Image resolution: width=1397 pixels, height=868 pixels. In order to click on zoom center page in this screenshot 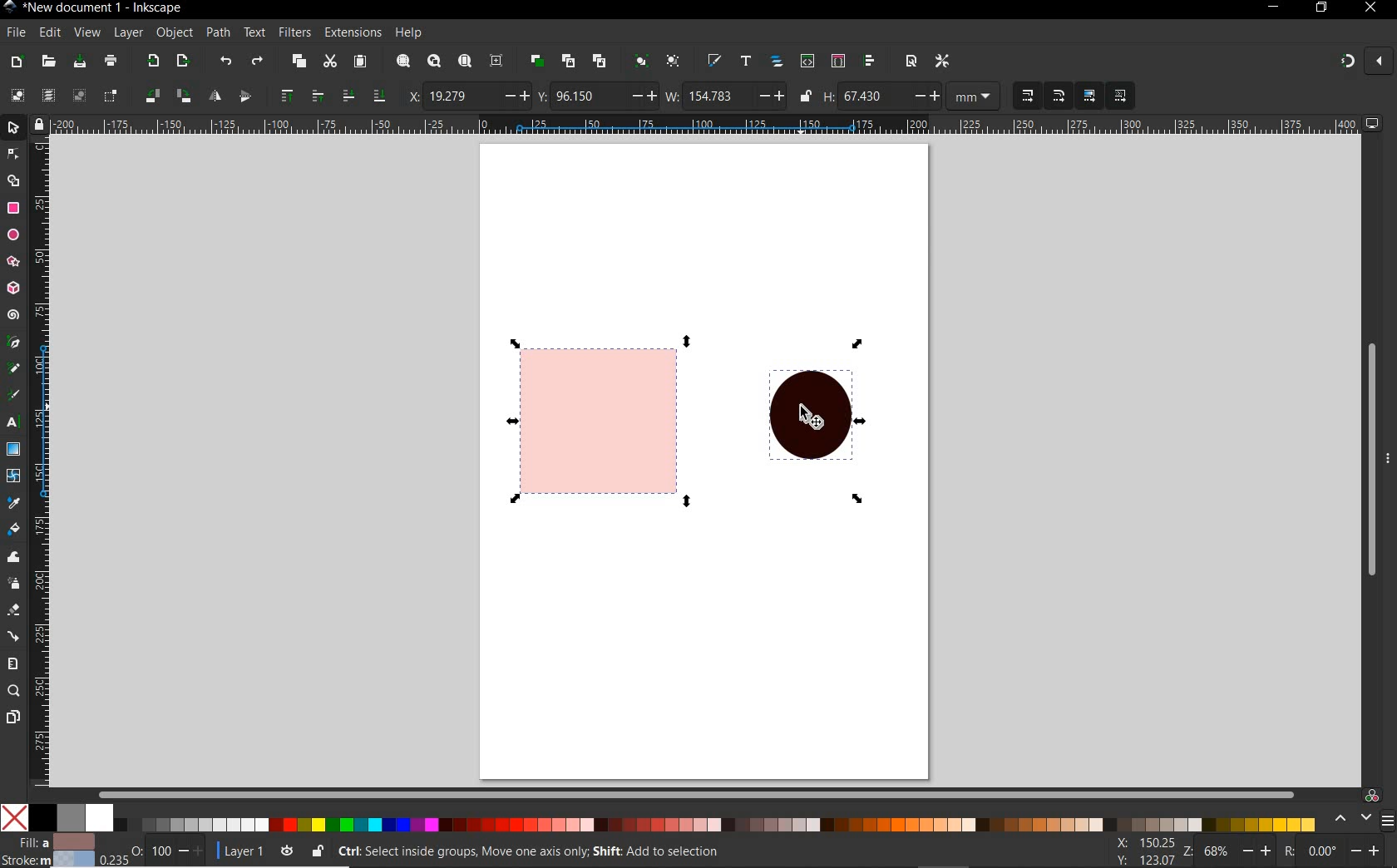, I will do `click(496, 61)`.